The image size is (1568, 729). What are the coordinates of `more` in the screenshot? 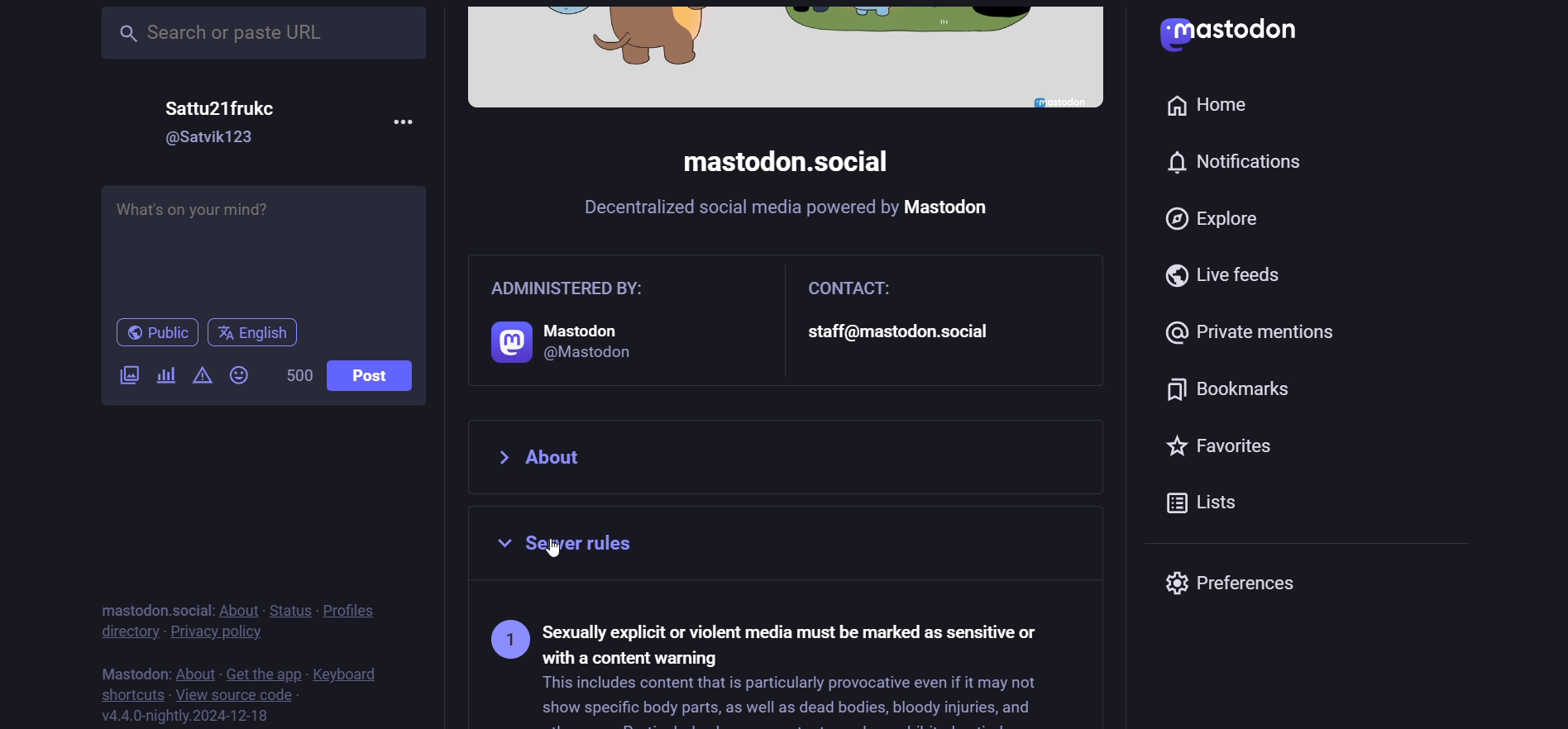 It's located at (404, 119).